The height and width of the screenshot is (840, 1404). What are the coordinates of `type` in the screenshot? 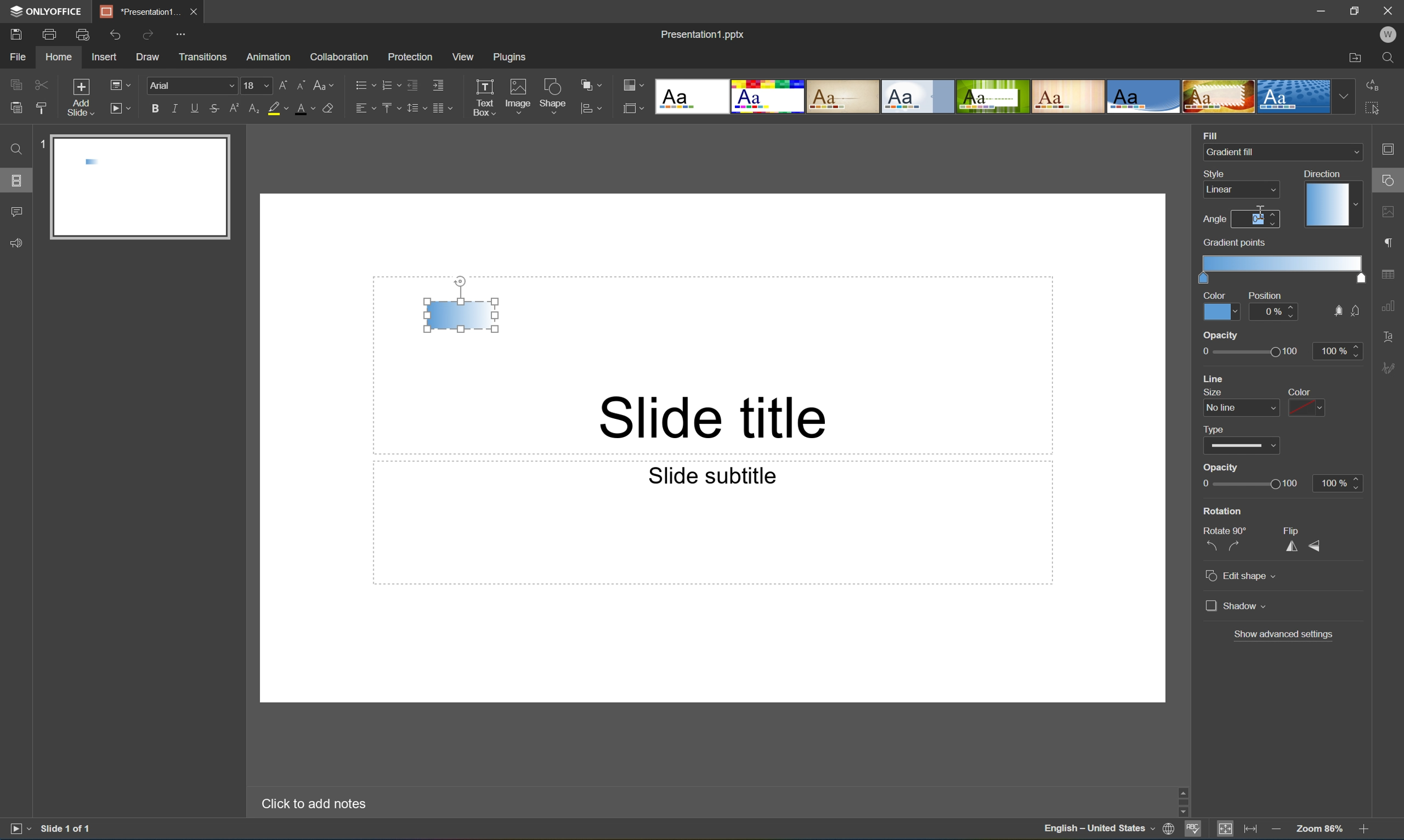 It's located at (1218, 428).